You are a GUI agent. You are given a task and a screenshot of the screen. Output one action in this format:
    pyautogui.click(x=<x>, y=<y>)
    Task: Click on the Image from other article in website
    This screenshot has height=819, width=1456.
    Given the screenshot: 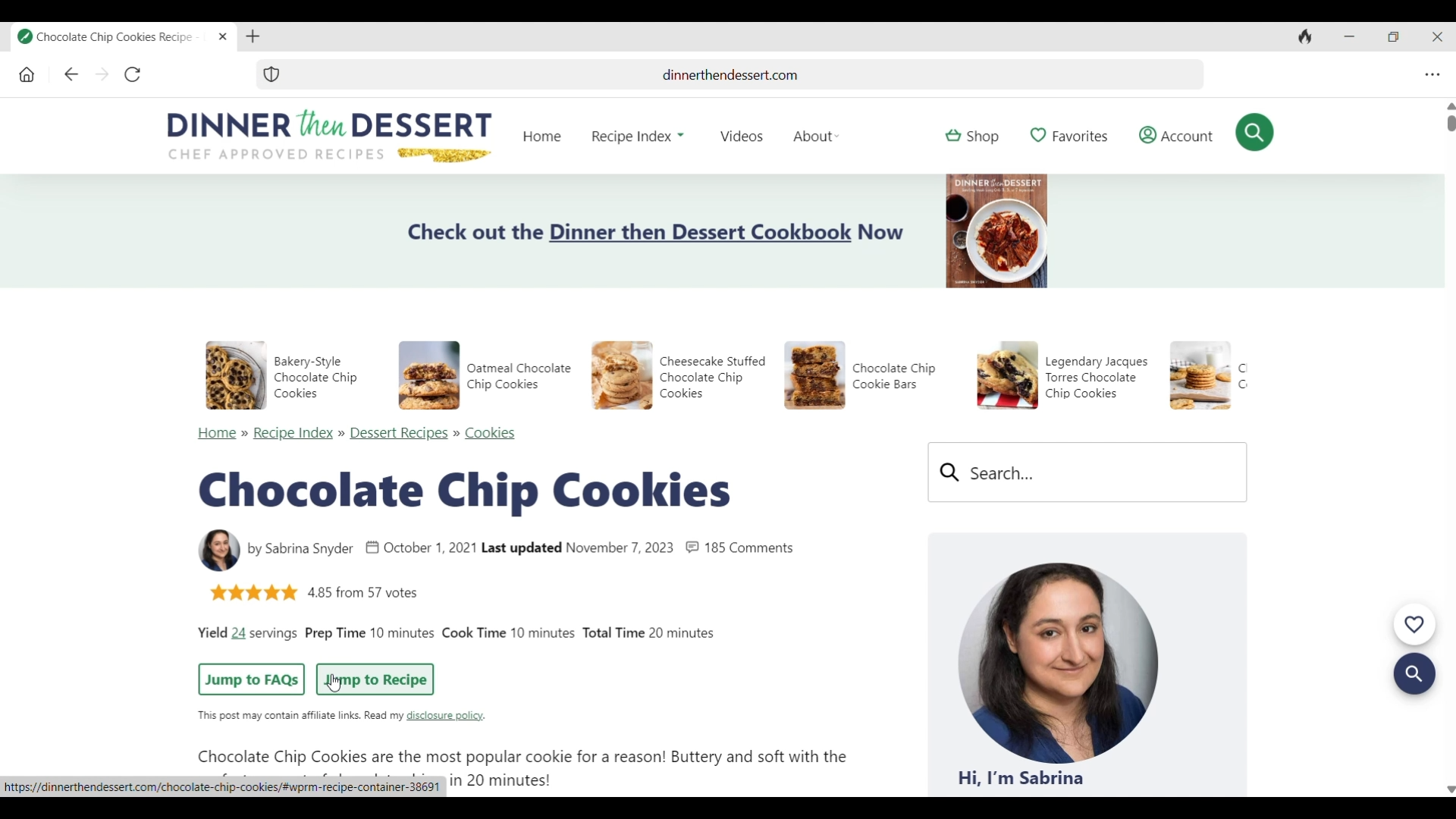 What is the action you would take?
    pyautogui.click(x=236, y=375)
    